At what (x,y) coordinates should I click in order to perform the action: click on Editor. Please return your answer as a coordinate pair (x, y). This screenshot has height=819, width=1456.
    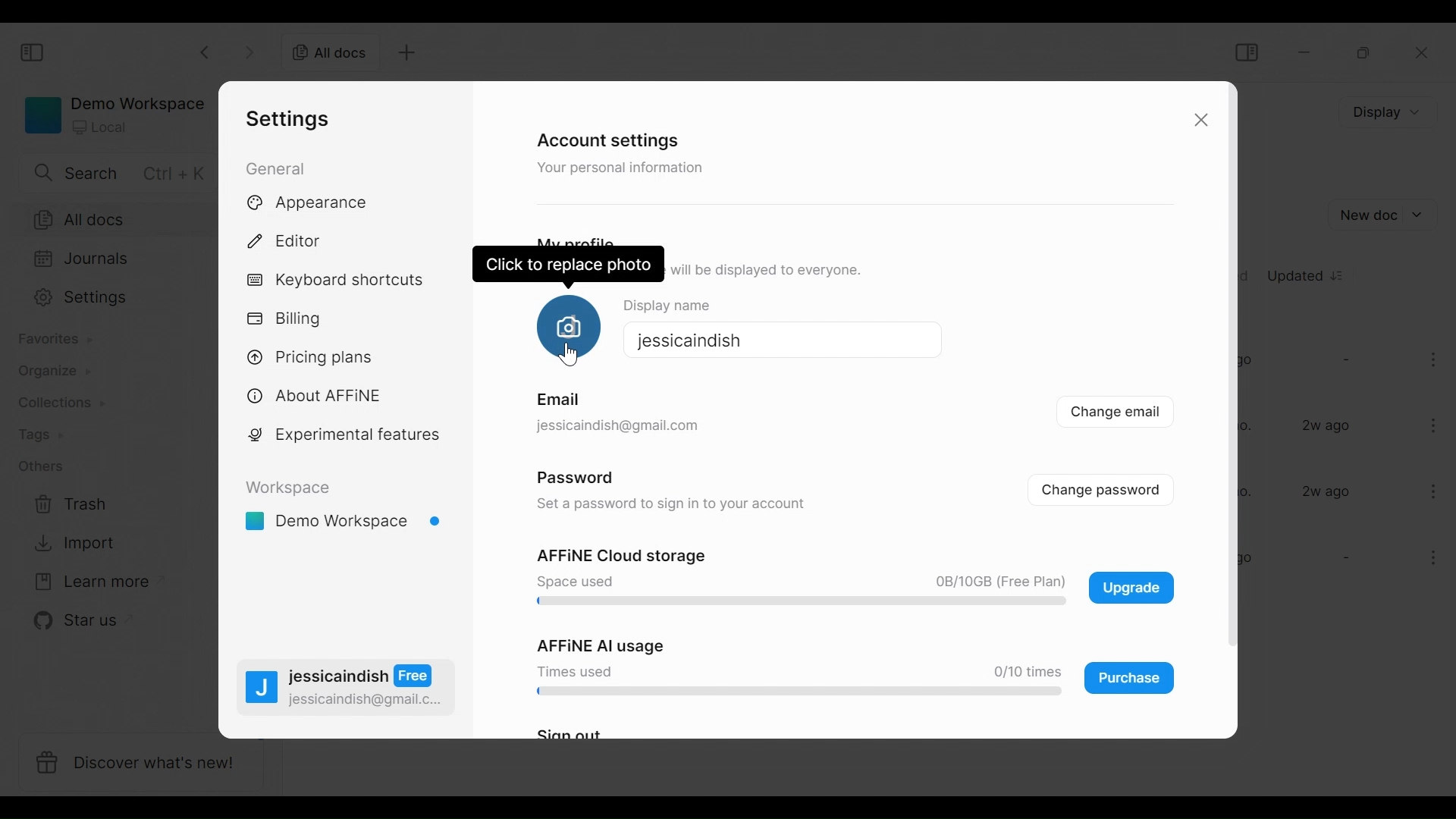
    Looking at the image, I should click on (289, 240).